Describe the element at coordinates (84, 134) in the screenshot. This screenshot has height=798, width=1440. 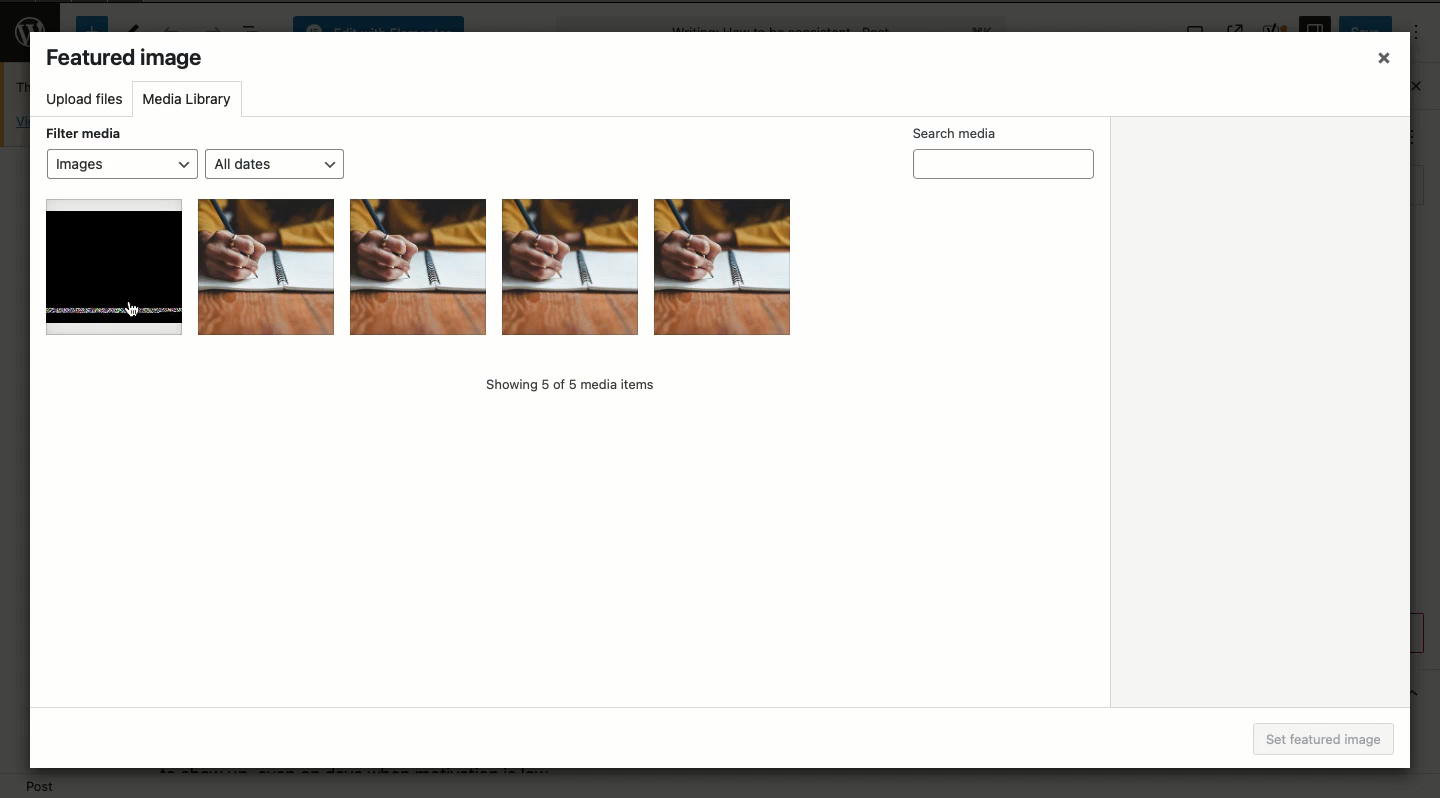
I see `Filter media` at that location.